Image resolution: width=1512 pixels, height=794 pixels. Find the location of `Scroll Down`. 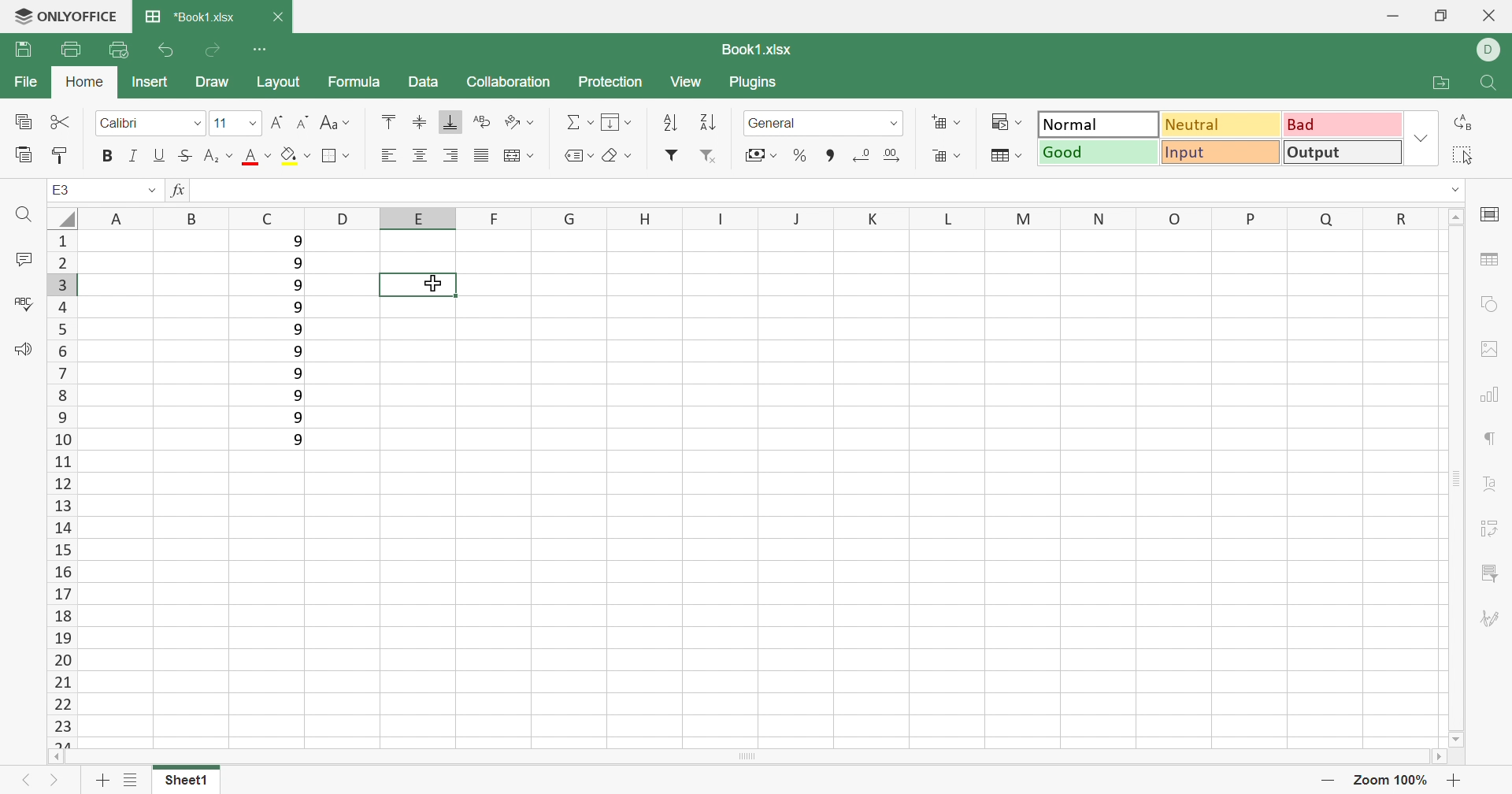

Scroll Down is located at coordinates (1456, 737).